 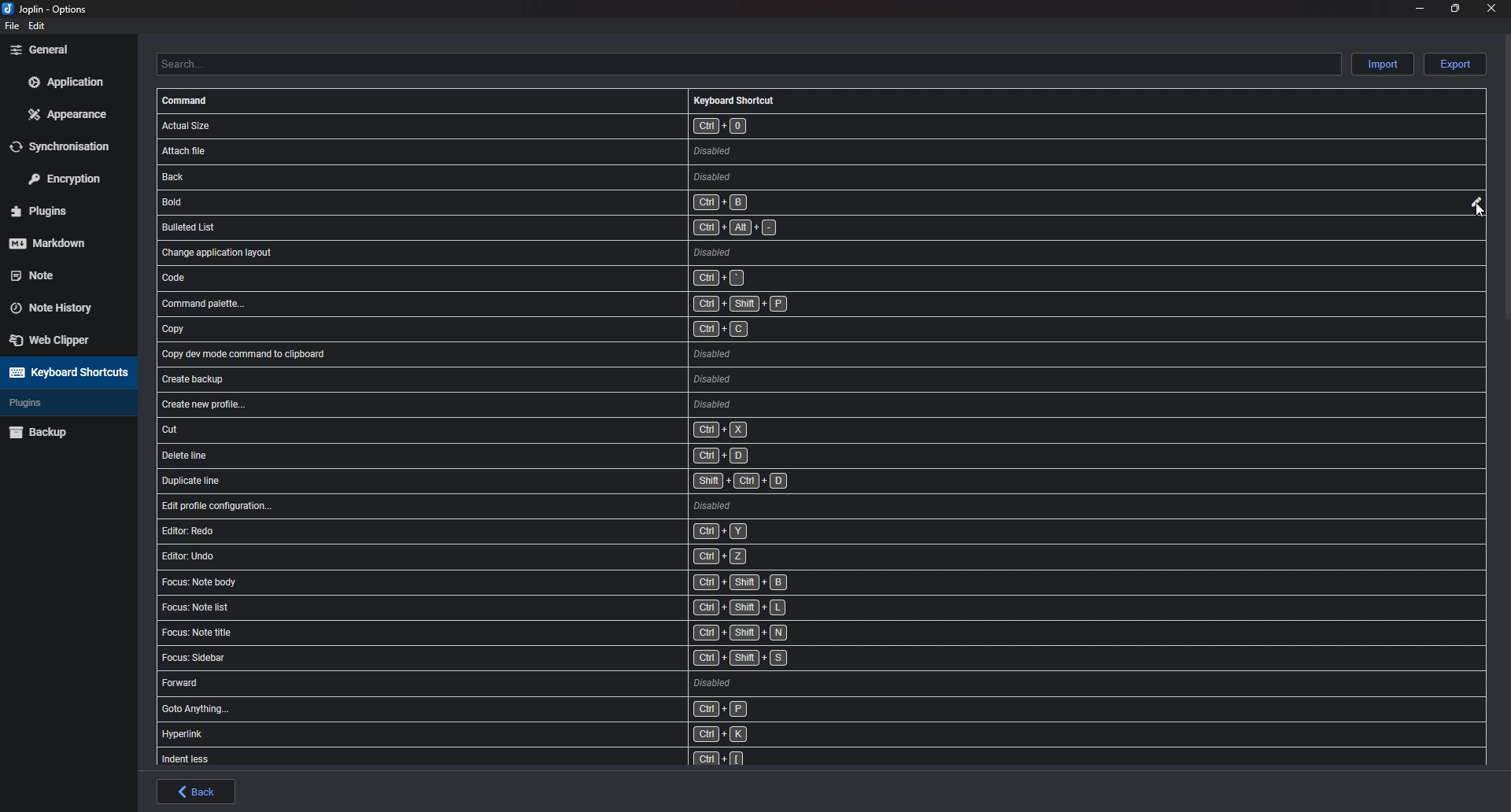 What do you see at coordinates (70, 177) in the screenshot?
I see `Encryption` at bounding box center [70, 177].